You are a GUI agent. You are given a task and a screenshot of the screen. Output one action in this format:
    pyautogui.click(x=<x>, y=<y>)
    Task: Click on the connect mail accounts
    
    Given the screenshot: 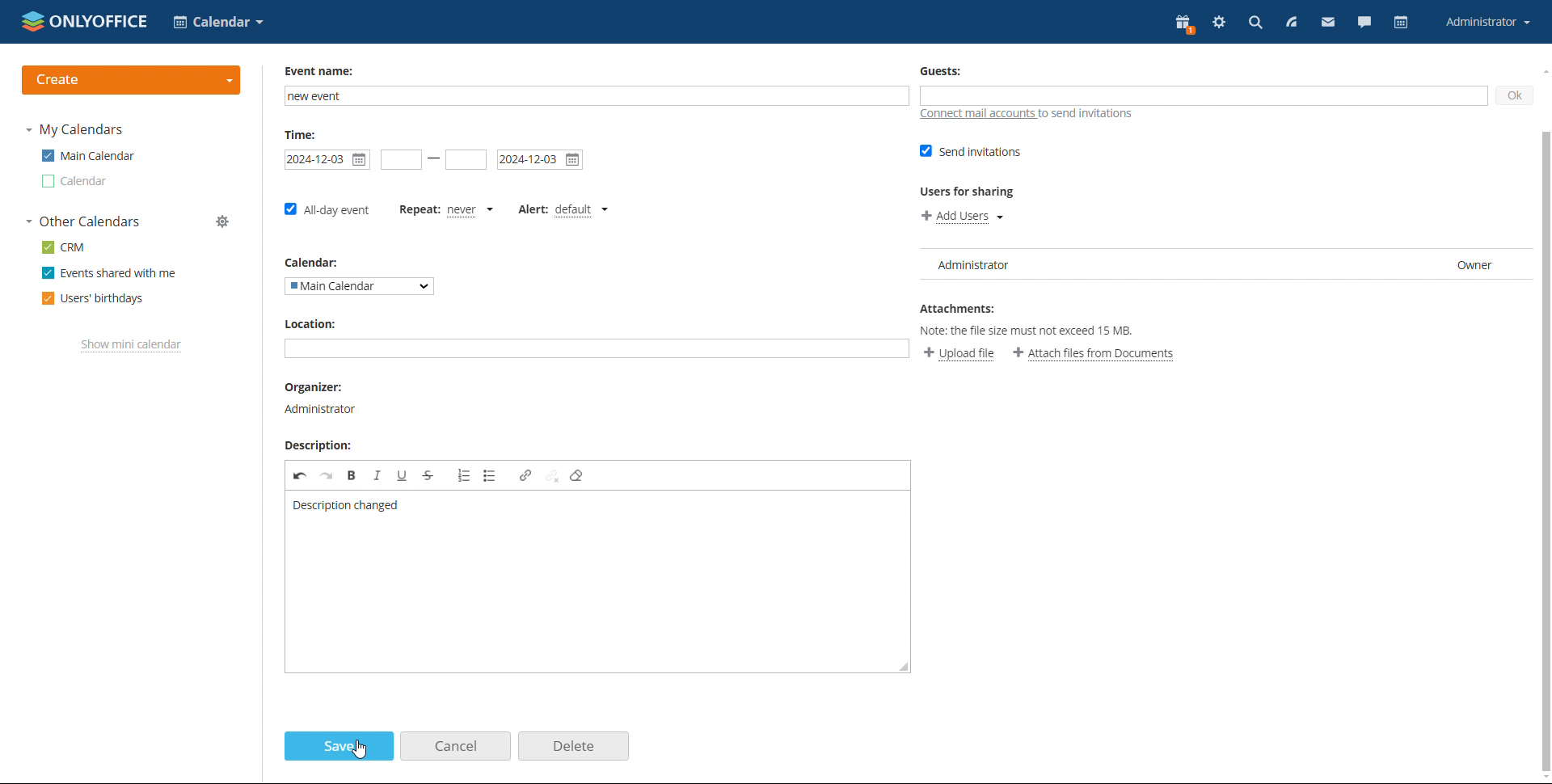 What is the action you would take?
    pyautogui.click(x=1025, y=117)
    